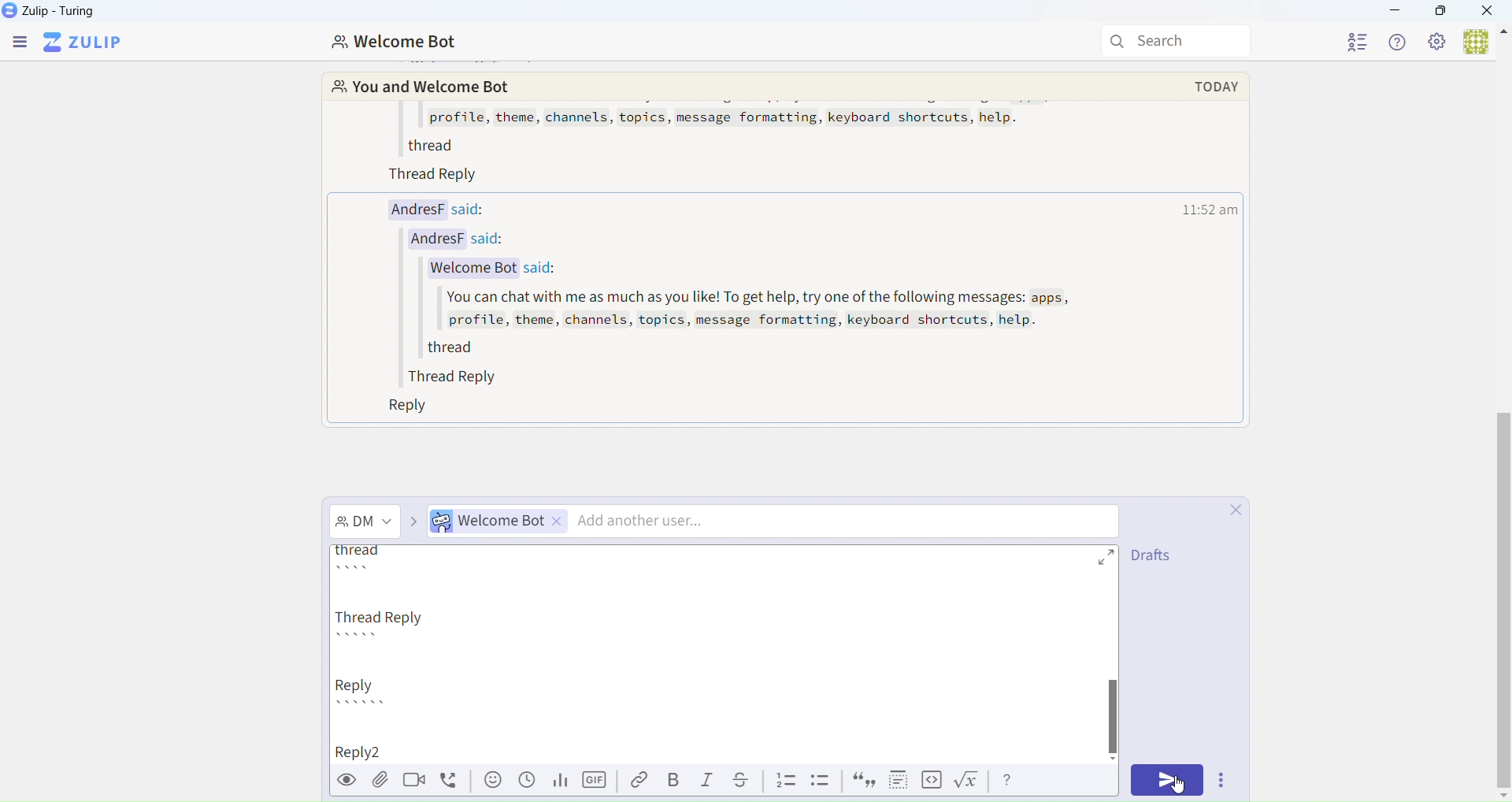 This screenshot has height=802, width=1512. Describe the element at coordinates (58, 13) in the screenshot. I see `Zulip` at that location.